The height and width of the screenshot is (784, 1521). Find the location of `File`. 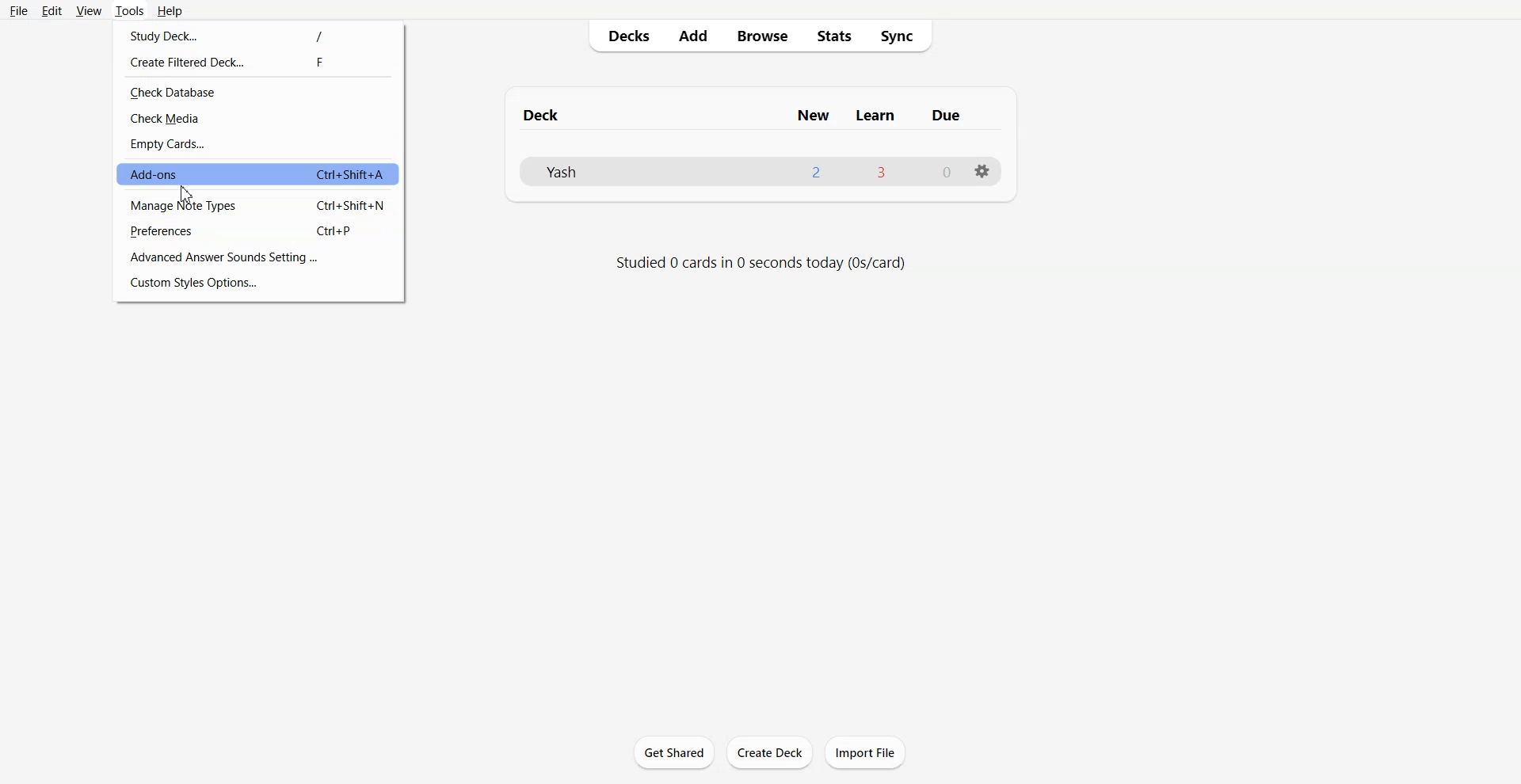

File is located at coordinates (20, 10).